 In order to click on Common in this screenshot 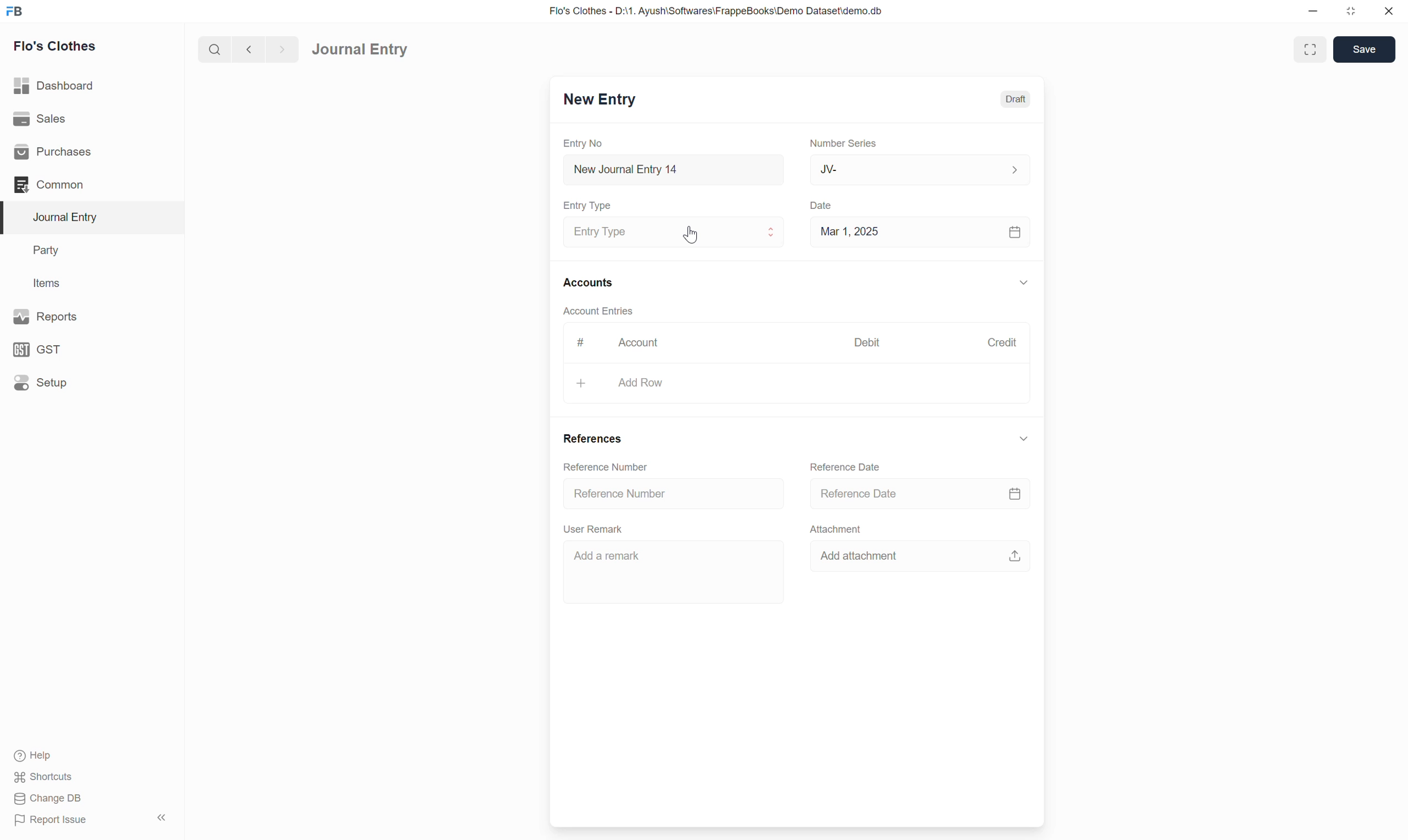, I will do `click(50, 185)`.